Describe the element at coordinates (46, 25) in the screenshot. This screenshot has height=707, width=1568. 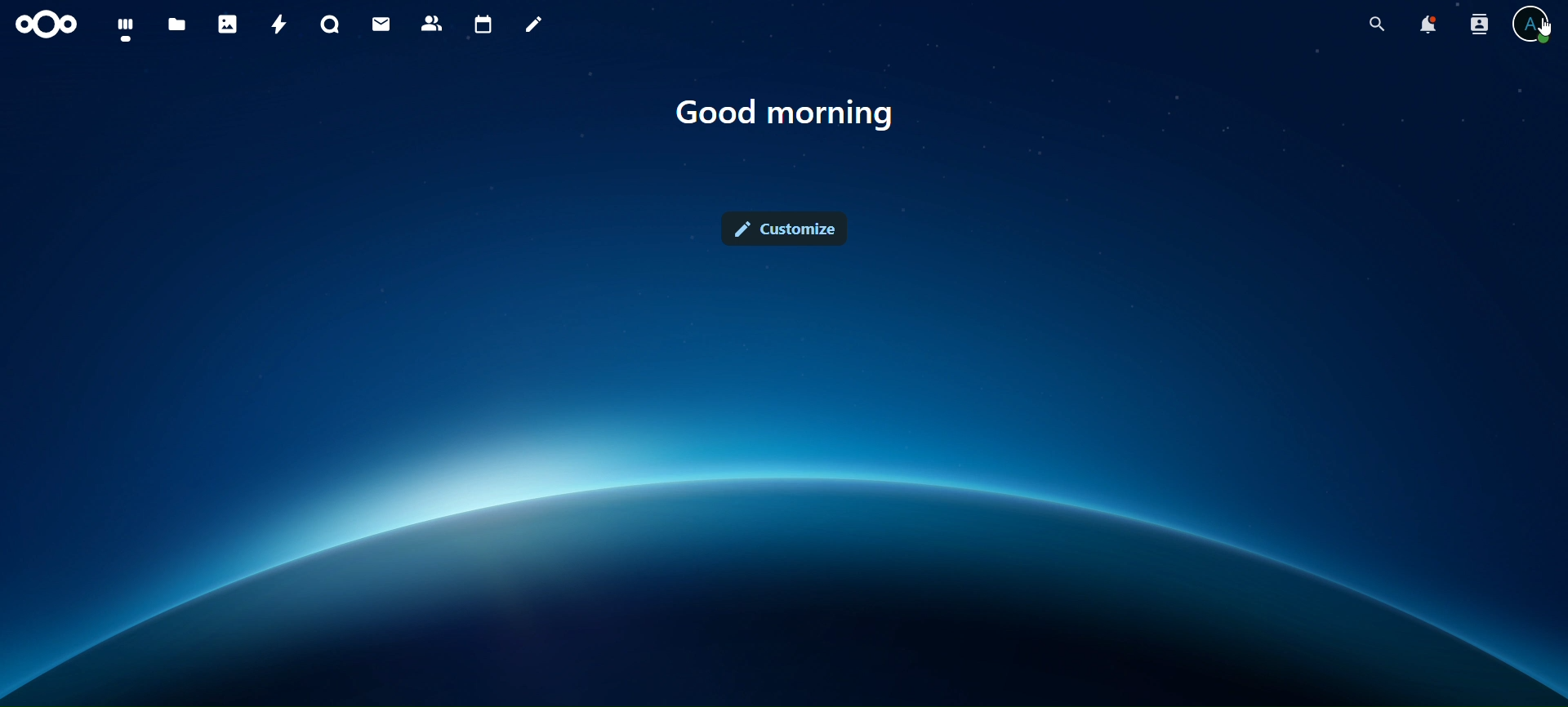
I see `icon` at that location.